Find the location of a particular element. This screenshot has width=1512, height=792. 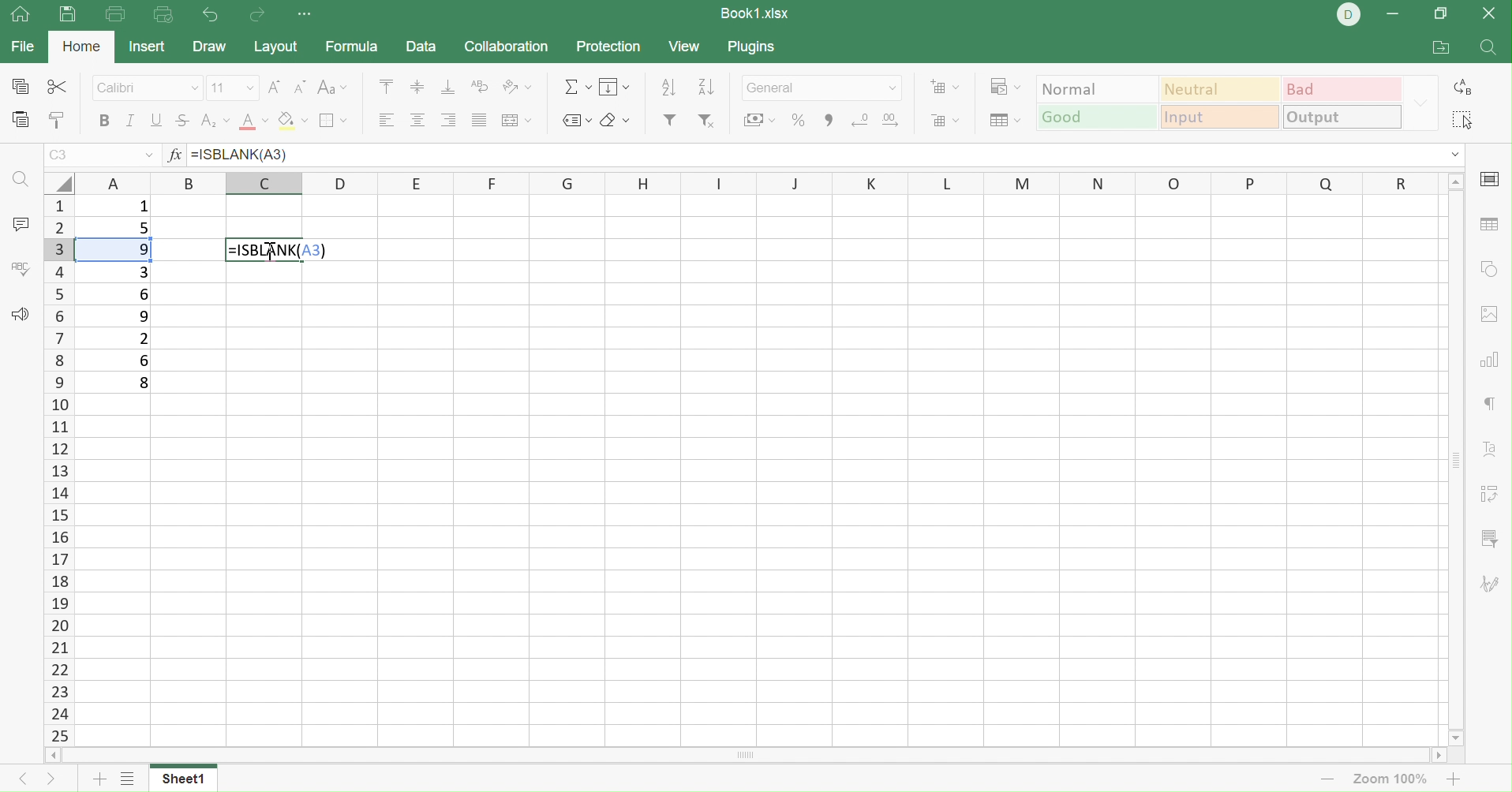

Customize Quick Access Toolbar is located at coordinates (306, 16).